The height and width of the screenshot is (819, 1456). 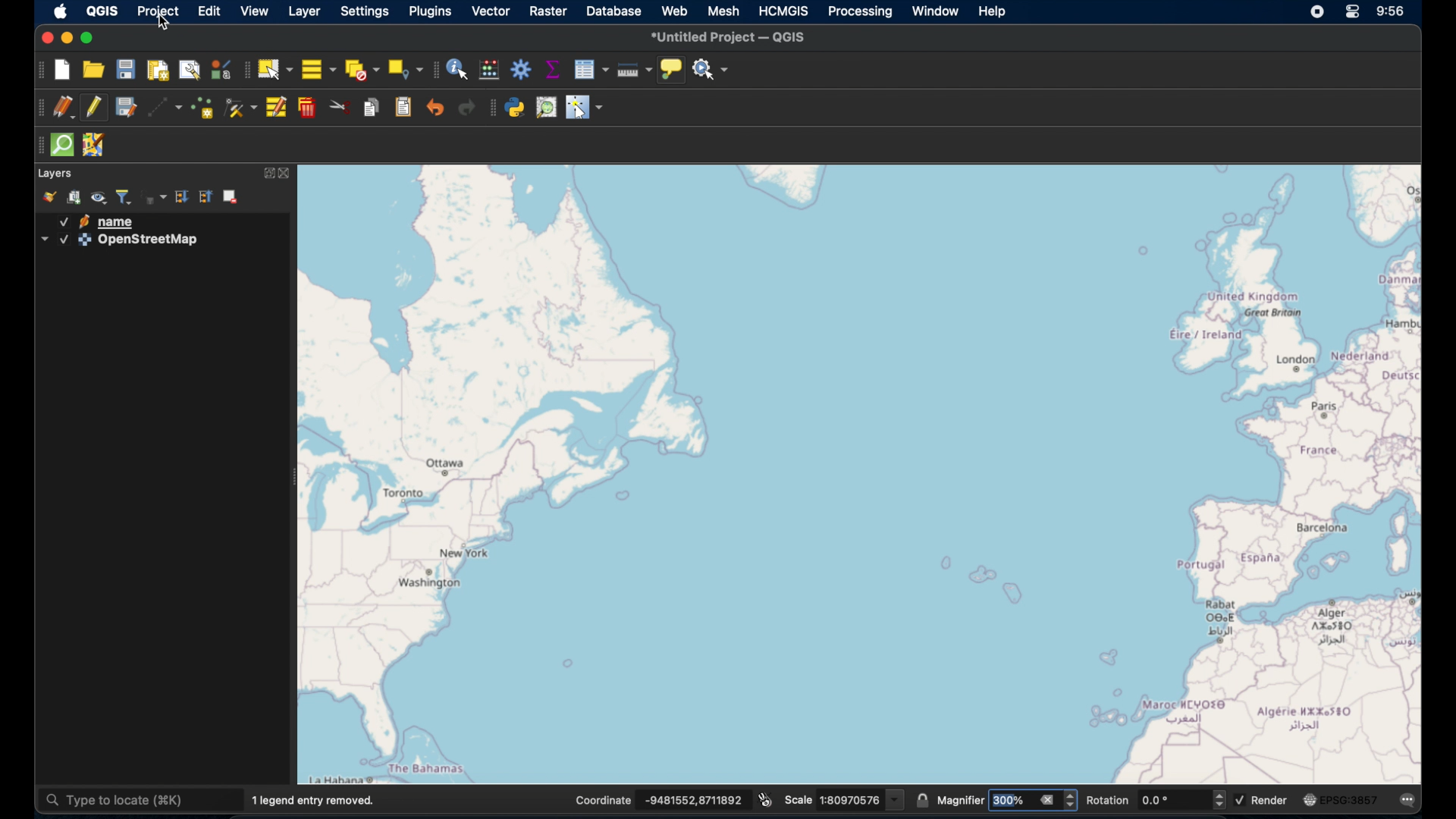 I want to click on openstreetmap, so click(x=120, y=242).